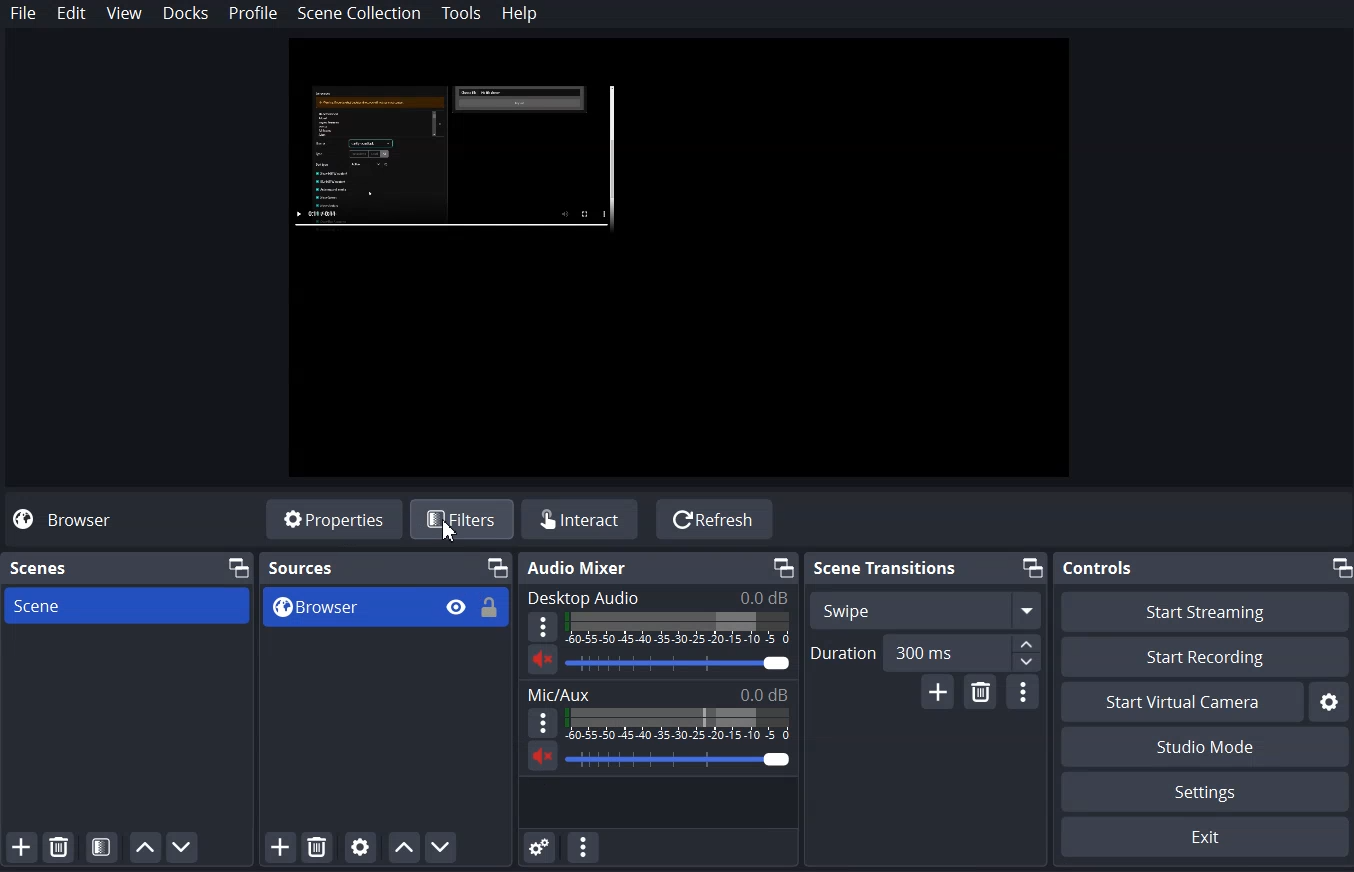 This screenshot has width=1354, height=872. Describe the element at coordinates (145, 847) in the screenshot. I see `Move Scene Up` at that location.